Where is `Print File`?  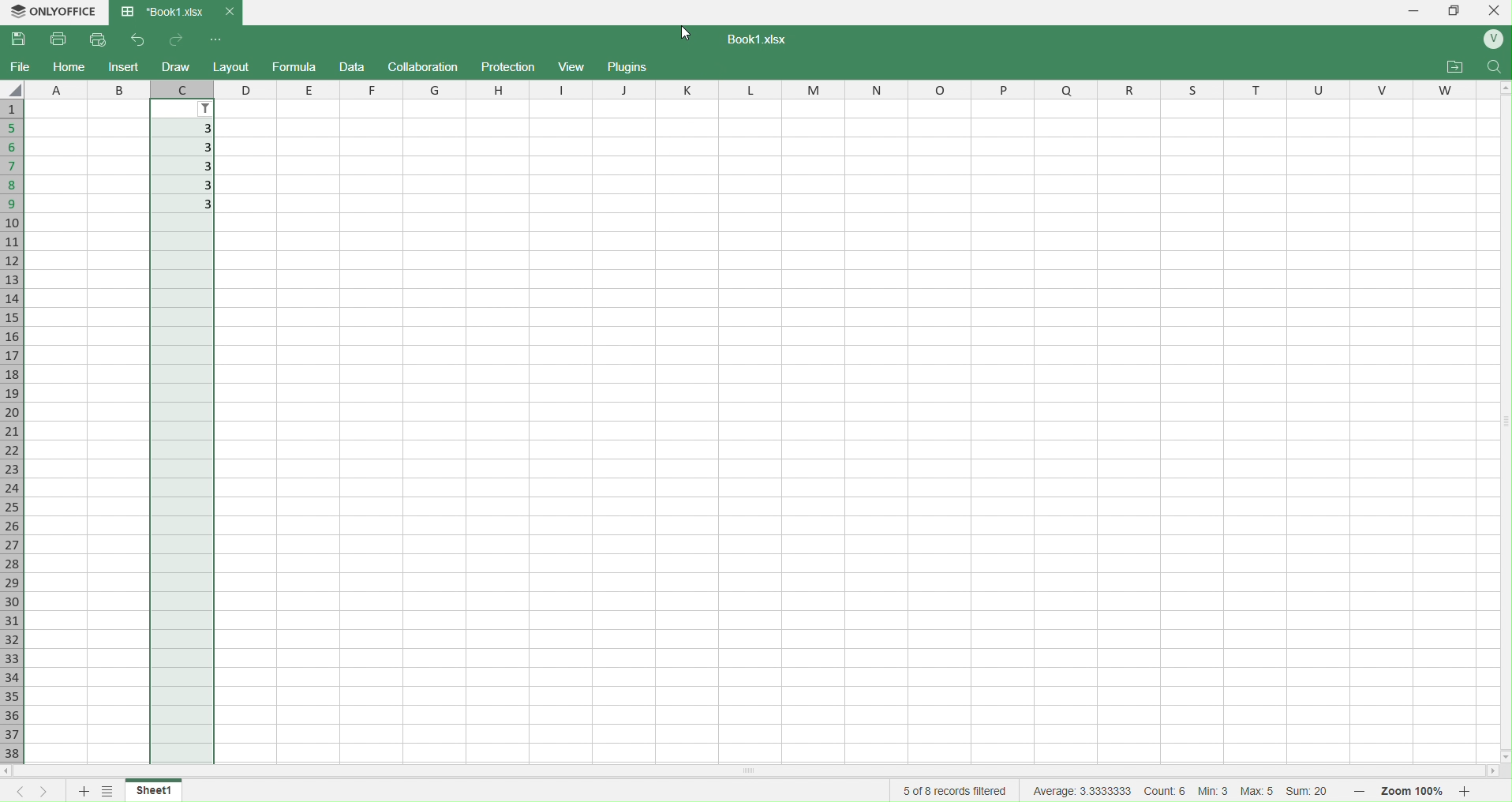
Print File is located at coordinates (61, 40).